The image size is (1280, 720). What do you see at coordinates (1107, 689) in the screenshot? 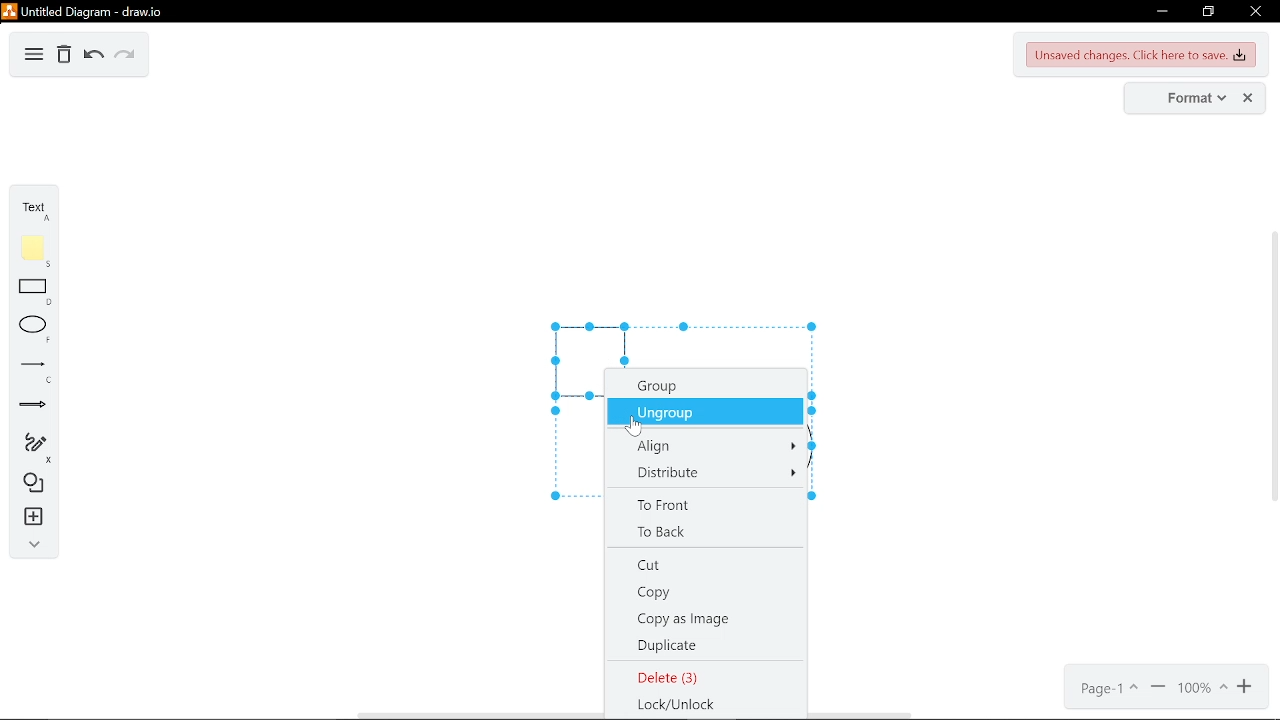
I see `current page` at bounding box center [1107, 689].